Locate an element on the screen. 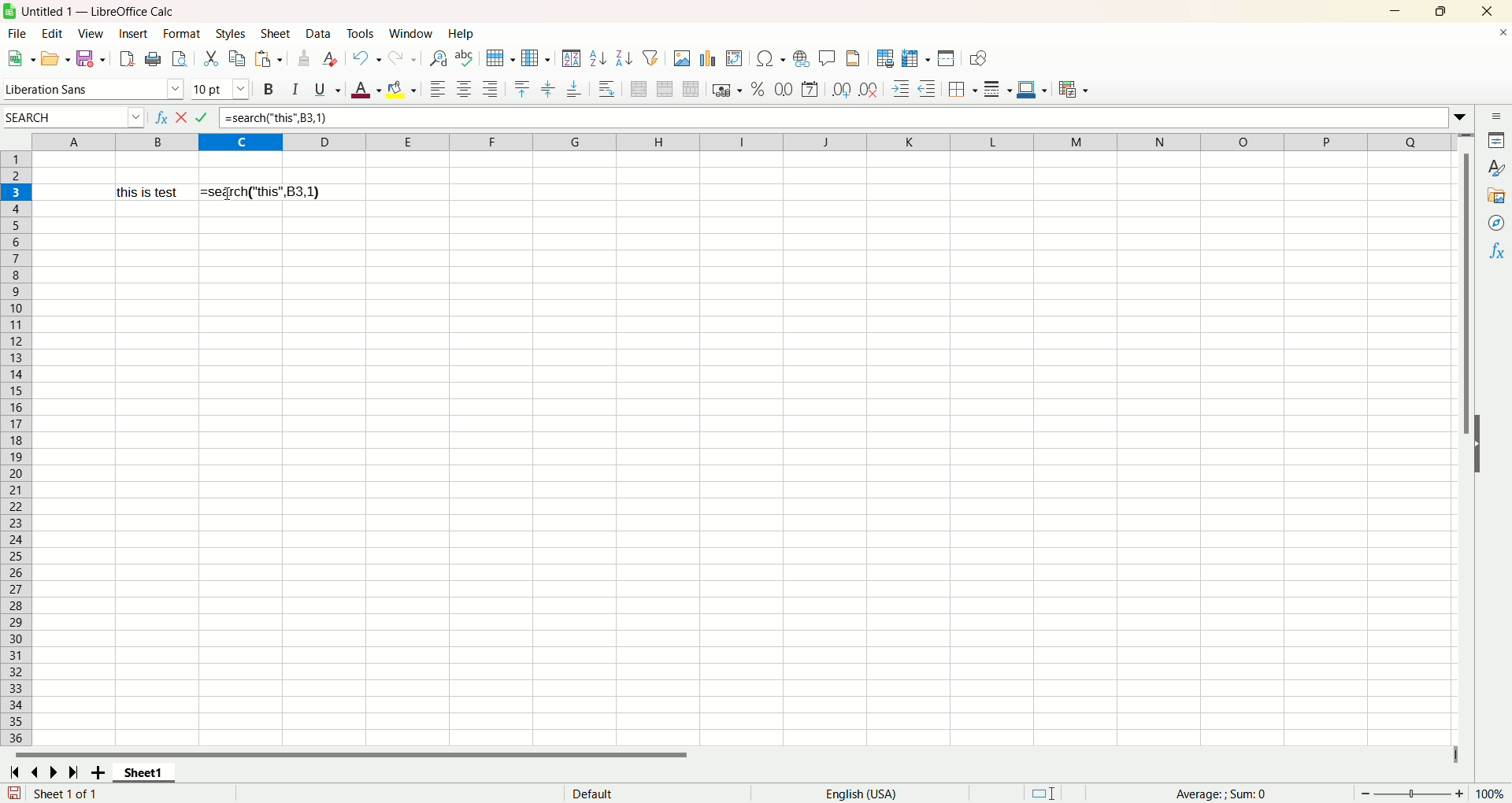 This screenshot has width=1512, height=803. export as pdf is located at coordinates (126, 59).